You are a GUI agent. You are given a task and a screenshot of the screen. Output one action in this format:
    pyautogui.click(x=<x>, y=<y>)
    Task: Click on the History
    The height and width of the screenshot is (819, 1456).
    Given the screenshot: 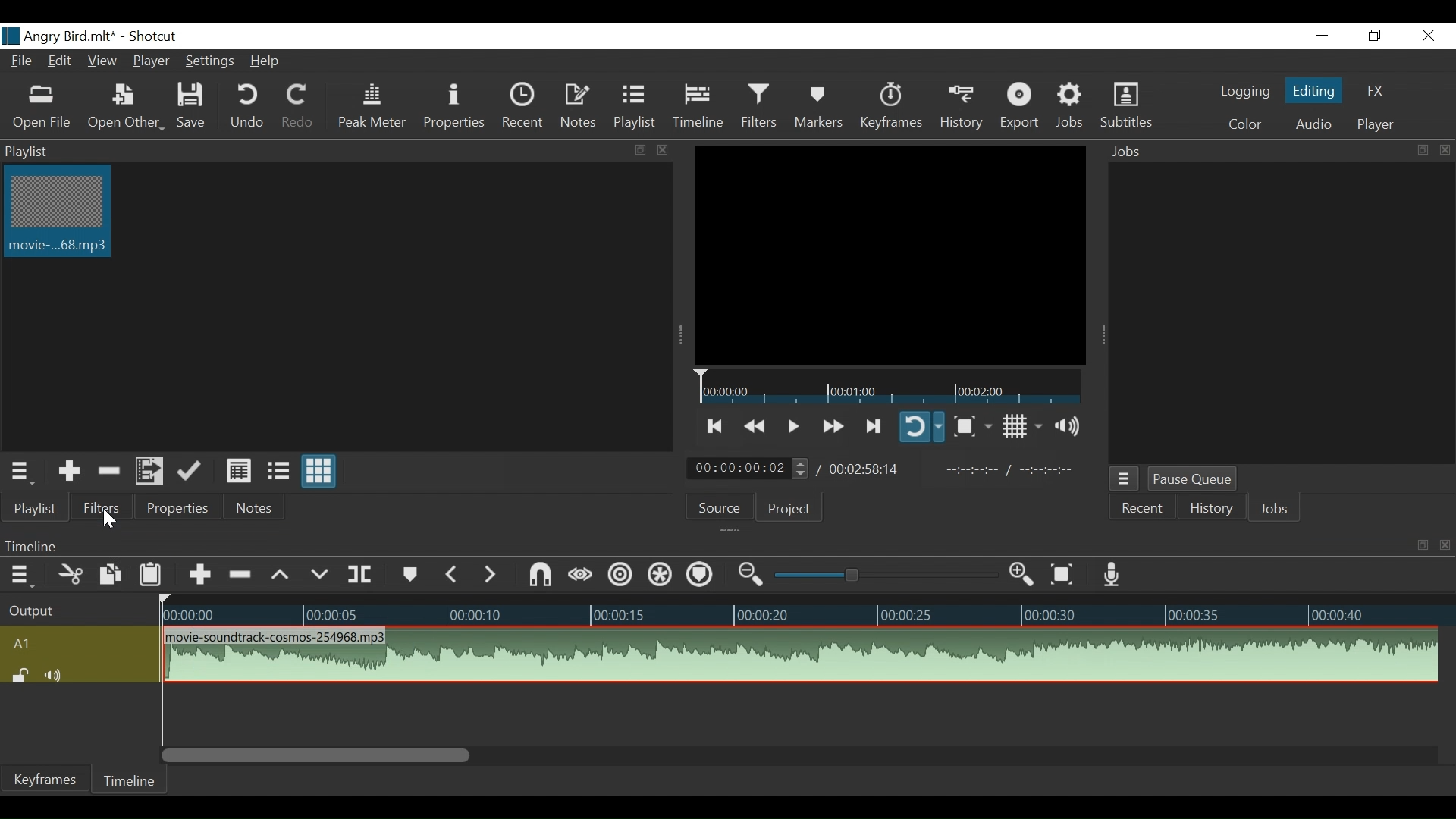 What is the action you would take?
    pyautogui.click(x=1210, y=510)
    